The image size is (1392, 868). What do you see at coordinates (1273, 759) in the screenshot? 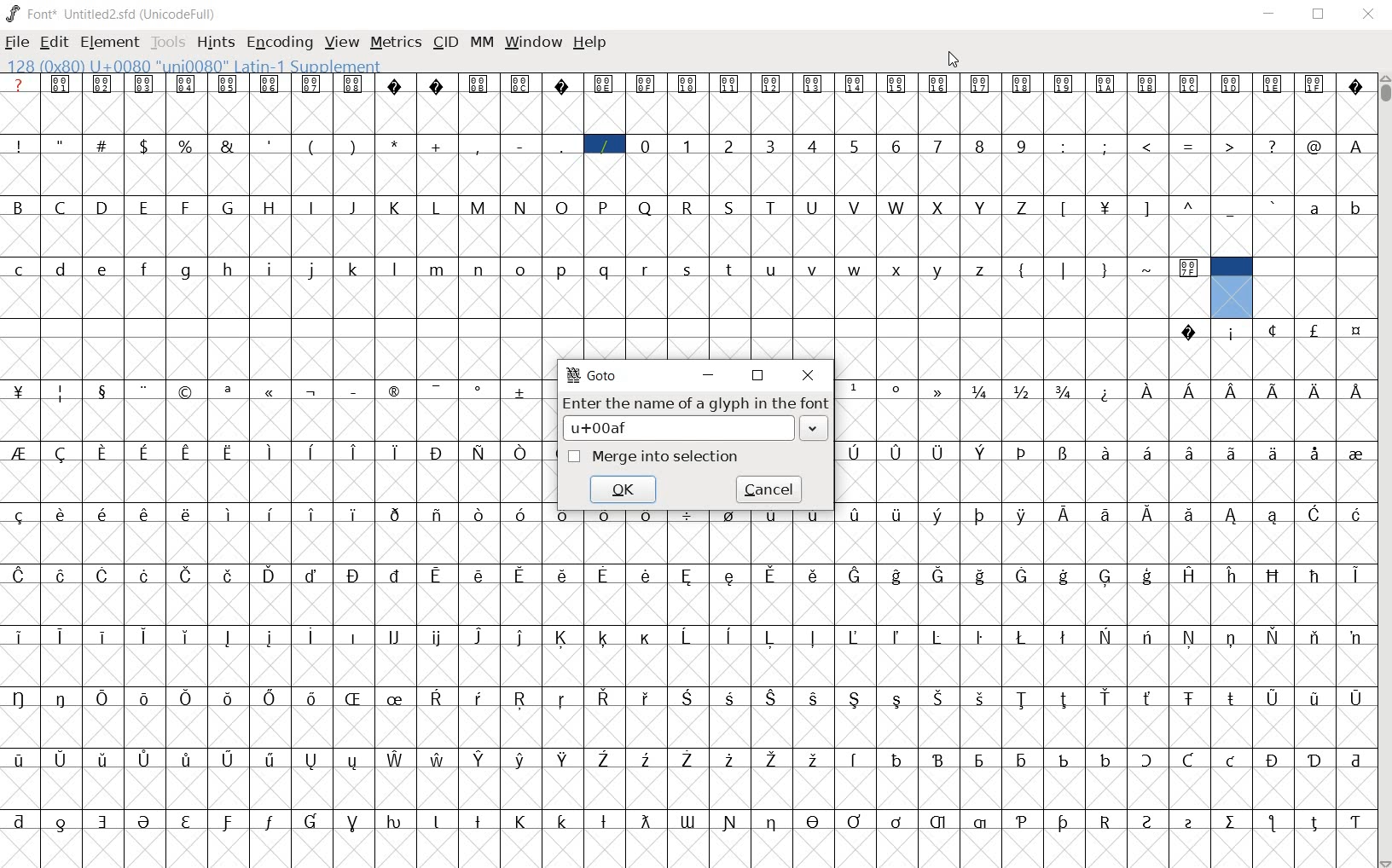
I see `Symbol` at bounding box center [1273, 759].